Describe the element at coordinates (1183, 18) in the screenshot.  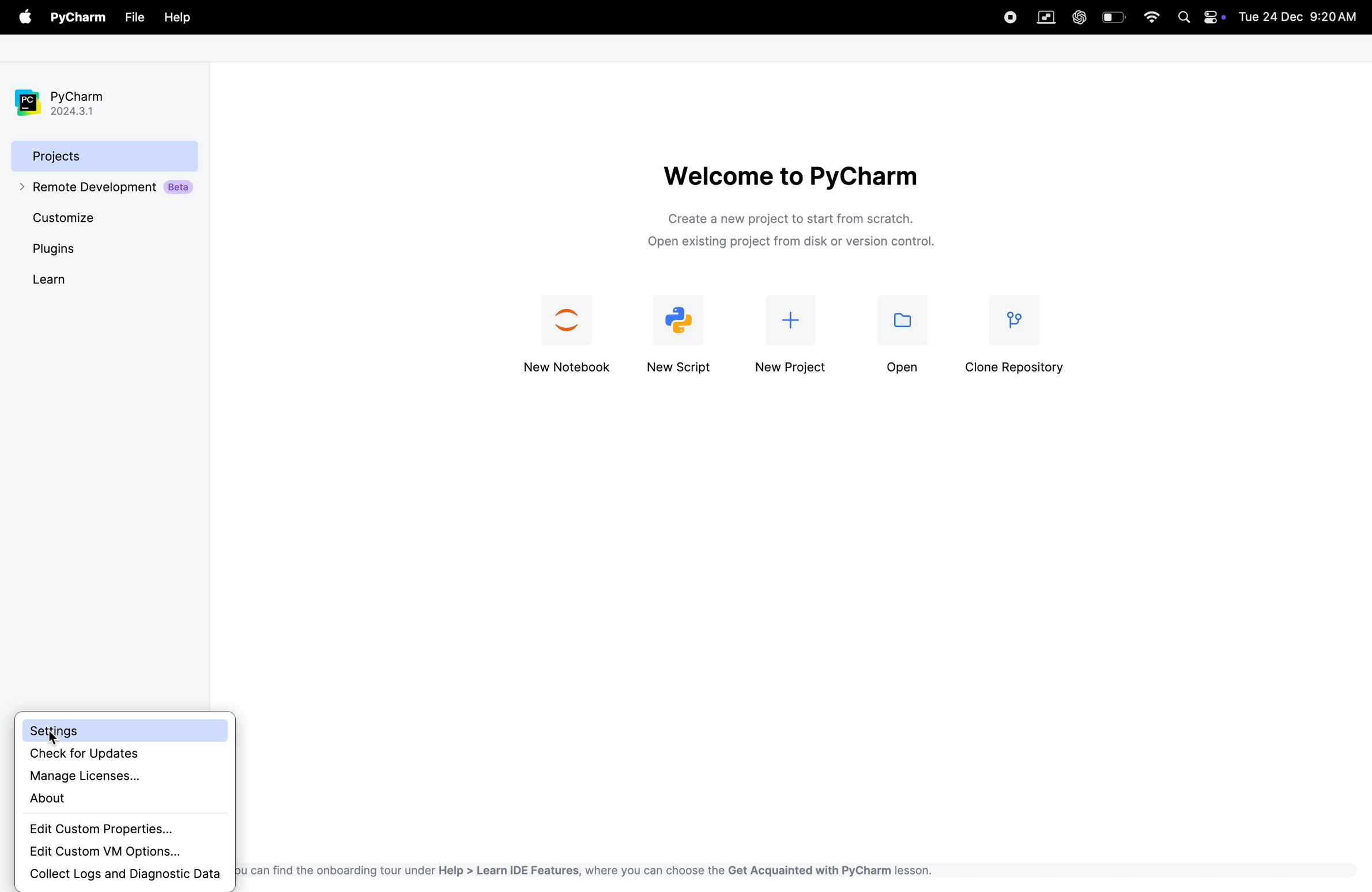
I see `spotlight search` at that location.